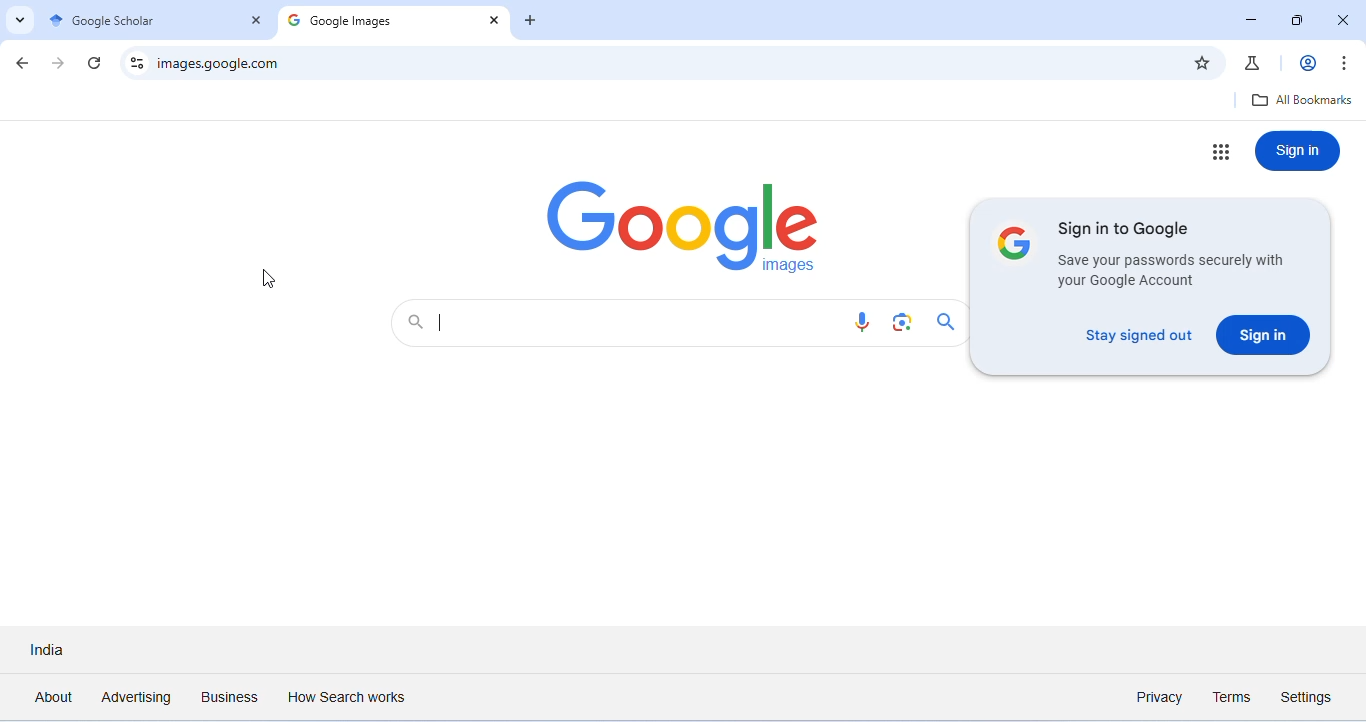 This screenshot has height=722, width=1366. Describe the element at coordinates (371, 22) in the screenshot. I see `Google images` at that location.